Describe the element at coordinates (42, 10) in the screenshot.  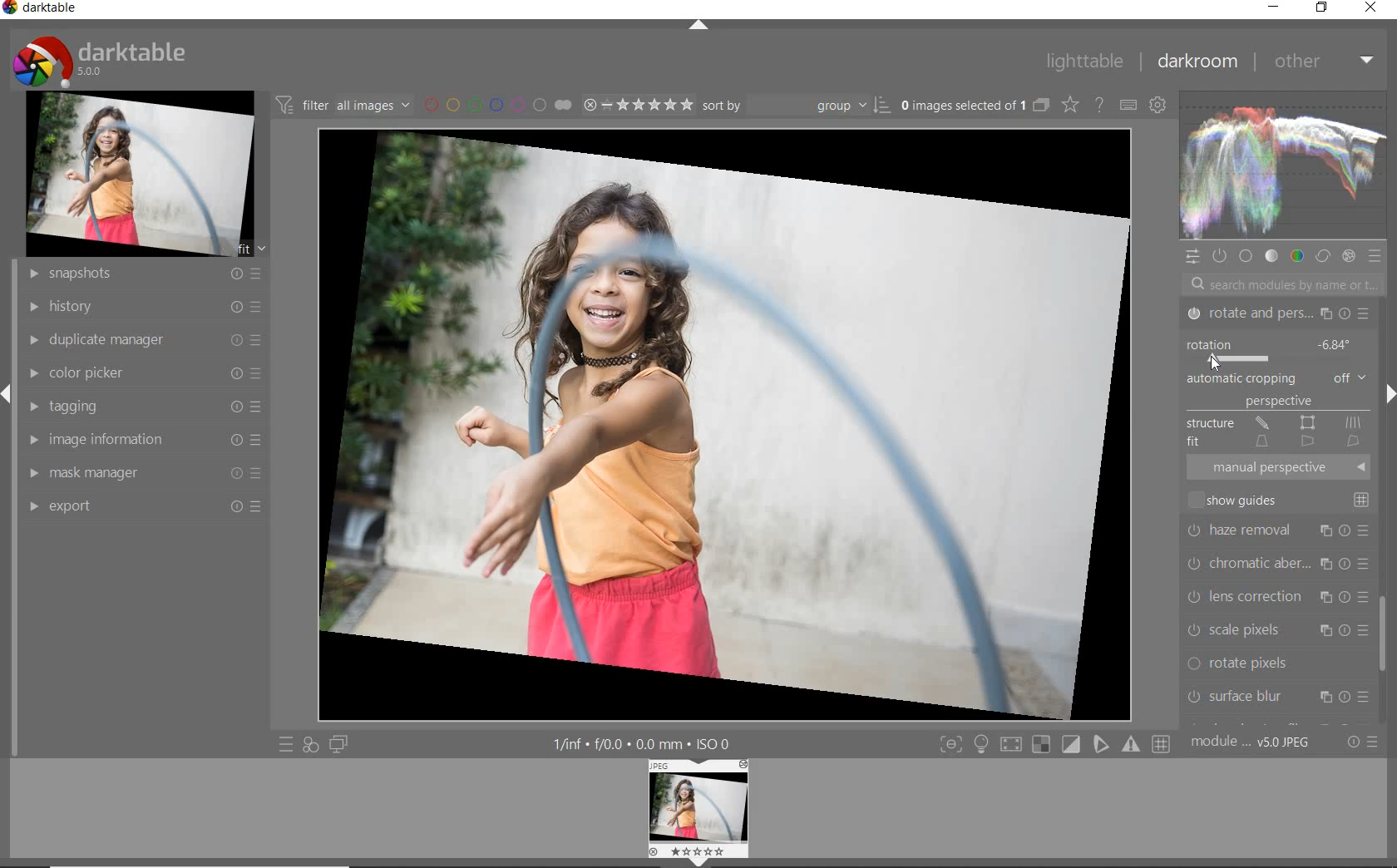
I see `system name` at that location.